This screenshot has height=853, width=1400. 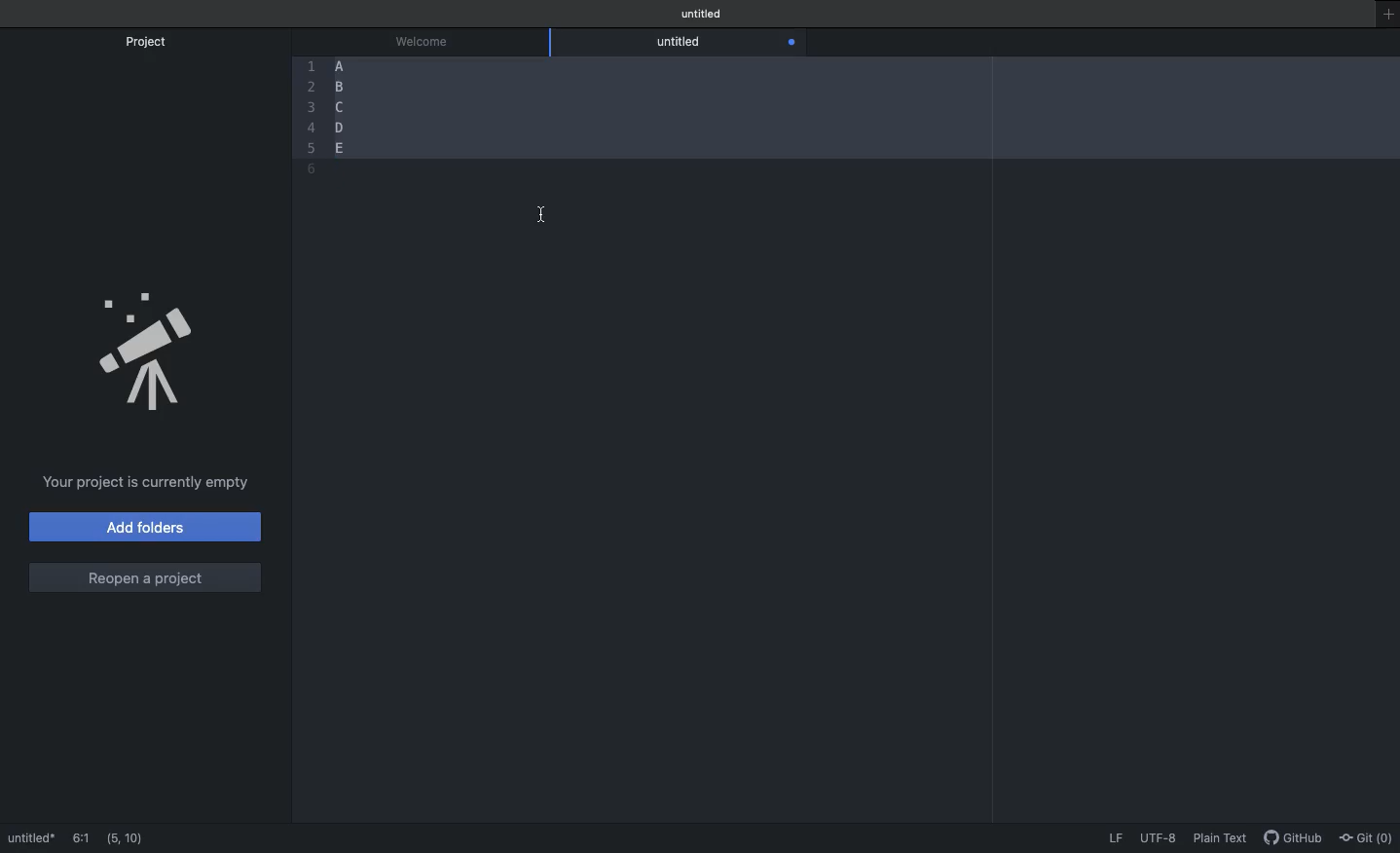 What do you see at coordinates (310, 115) in the screenshot?
I see `1
2
3
4
5
6` at bounding box center [310, 115].